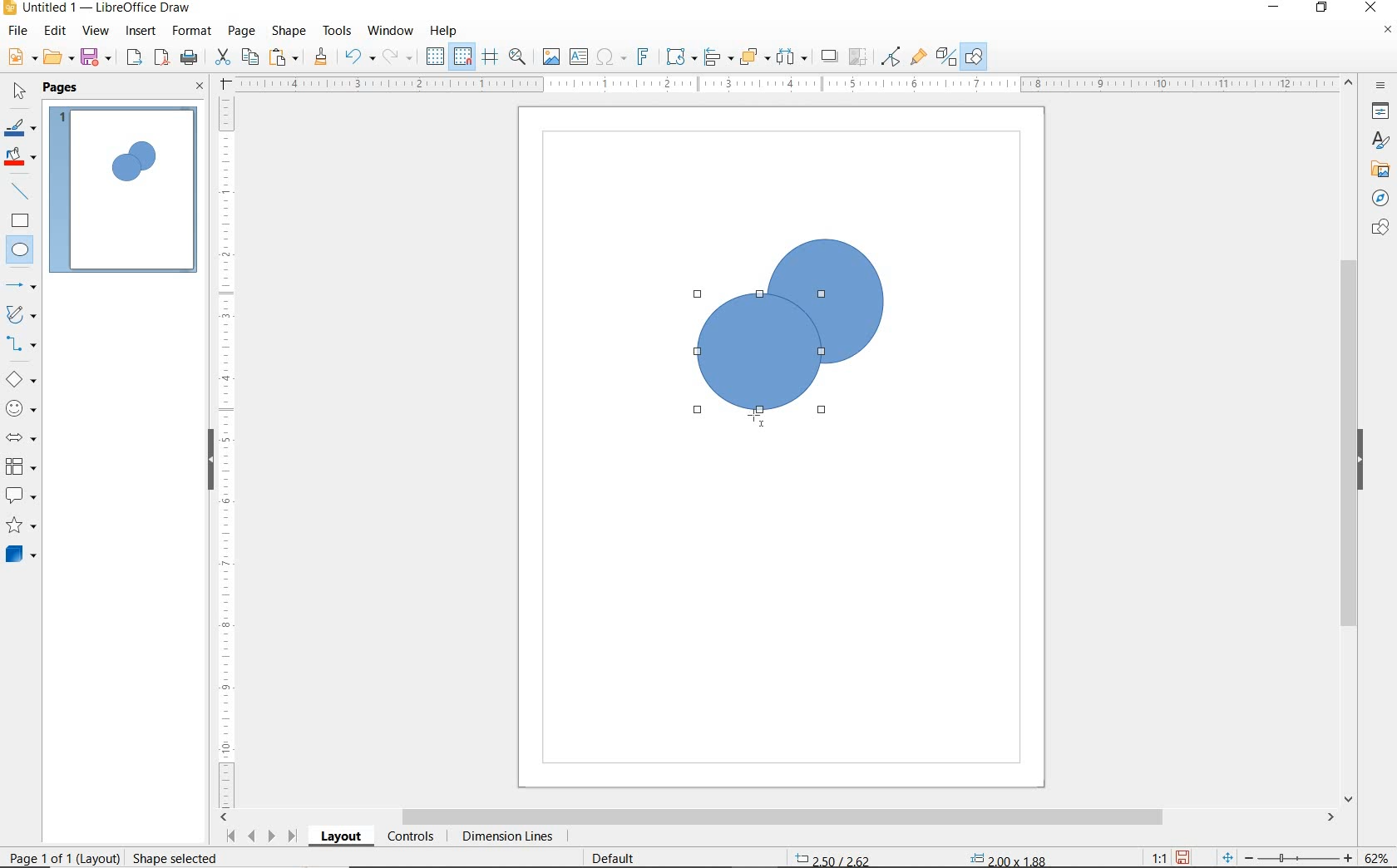 This screenshot has height=868, width=1397. What do you see at coordinates (359, 58) in the screenshot?
I see `UNDO` at bounding box center [359, 58].